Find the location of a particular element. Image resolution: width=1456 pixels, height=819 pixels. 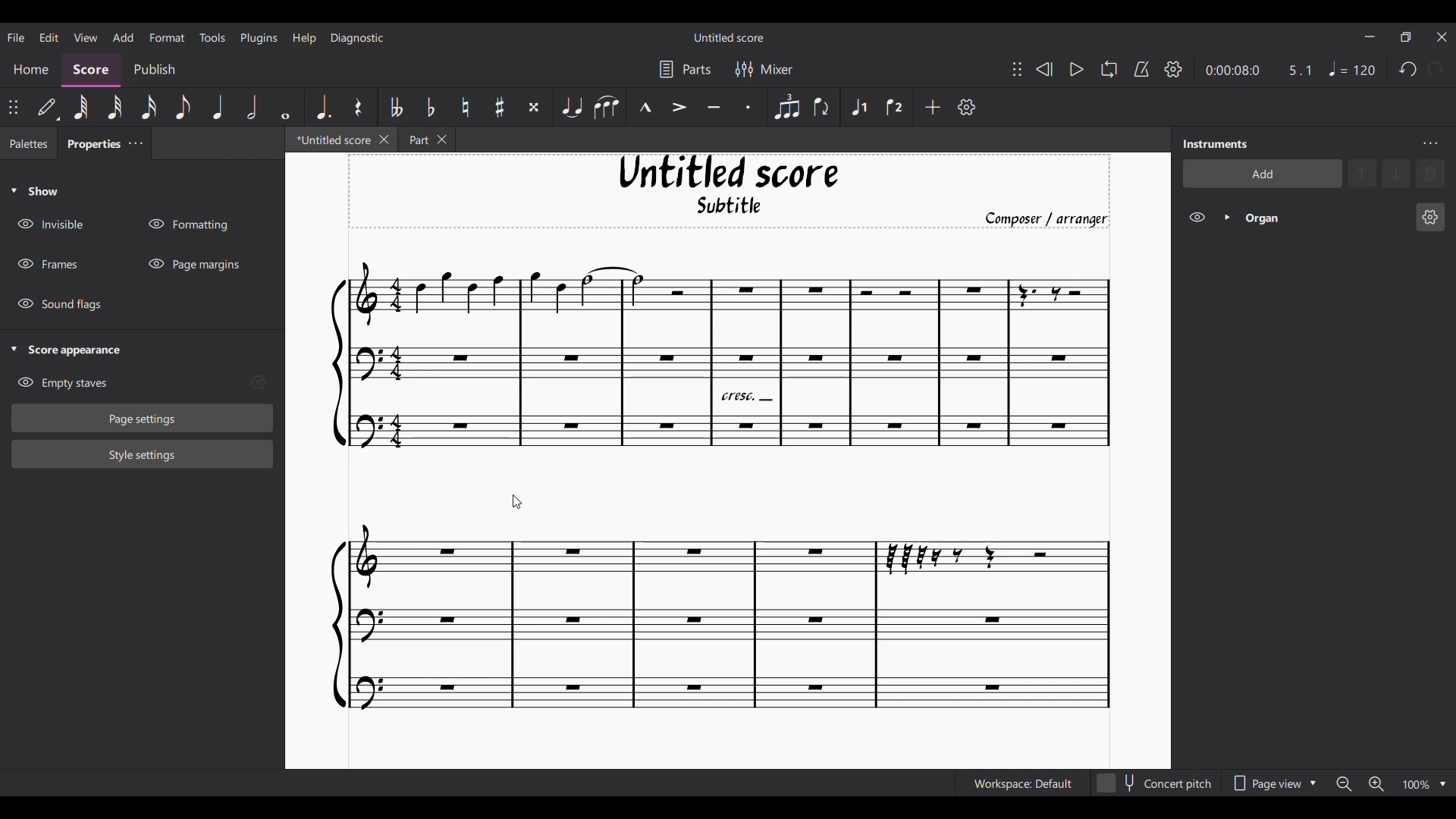

Add instrument is located at coordinates (1263, 173).